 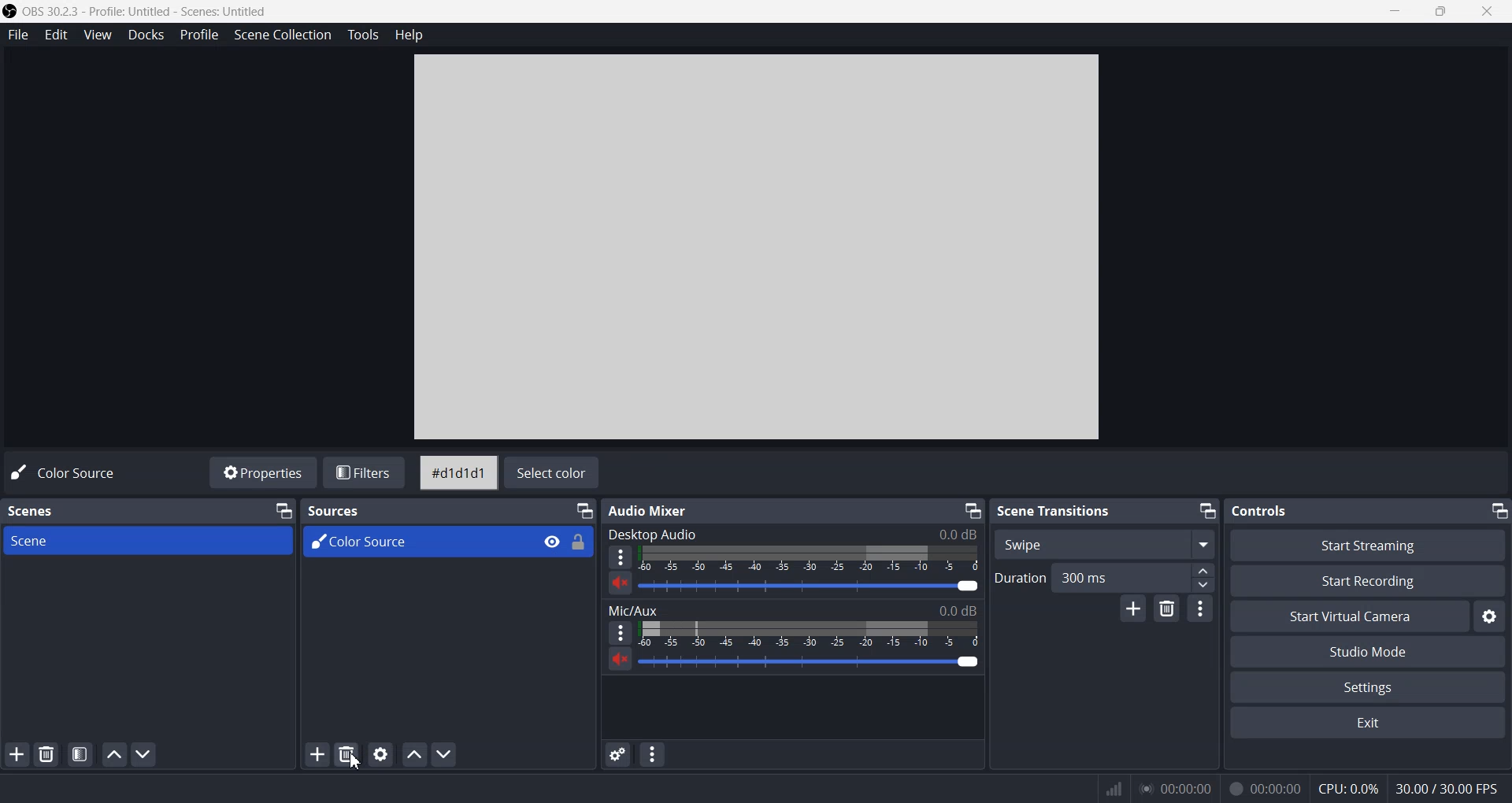 What do you see at coordinates (260, 472) in the screenshot?
I see `Properties` at bounding box center [260, 472].